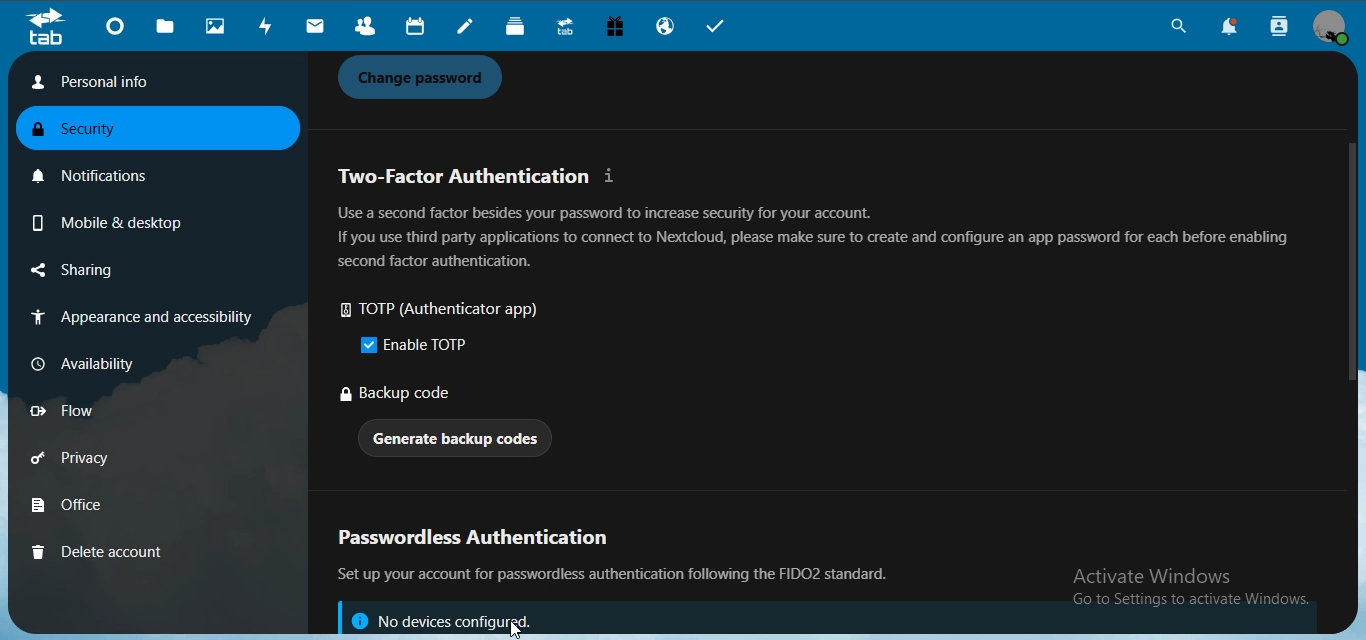 This screenshot has height=640, width=1366. Describe the element at coordinates (94, 362) in the screenshot. I see `availability` at that location.